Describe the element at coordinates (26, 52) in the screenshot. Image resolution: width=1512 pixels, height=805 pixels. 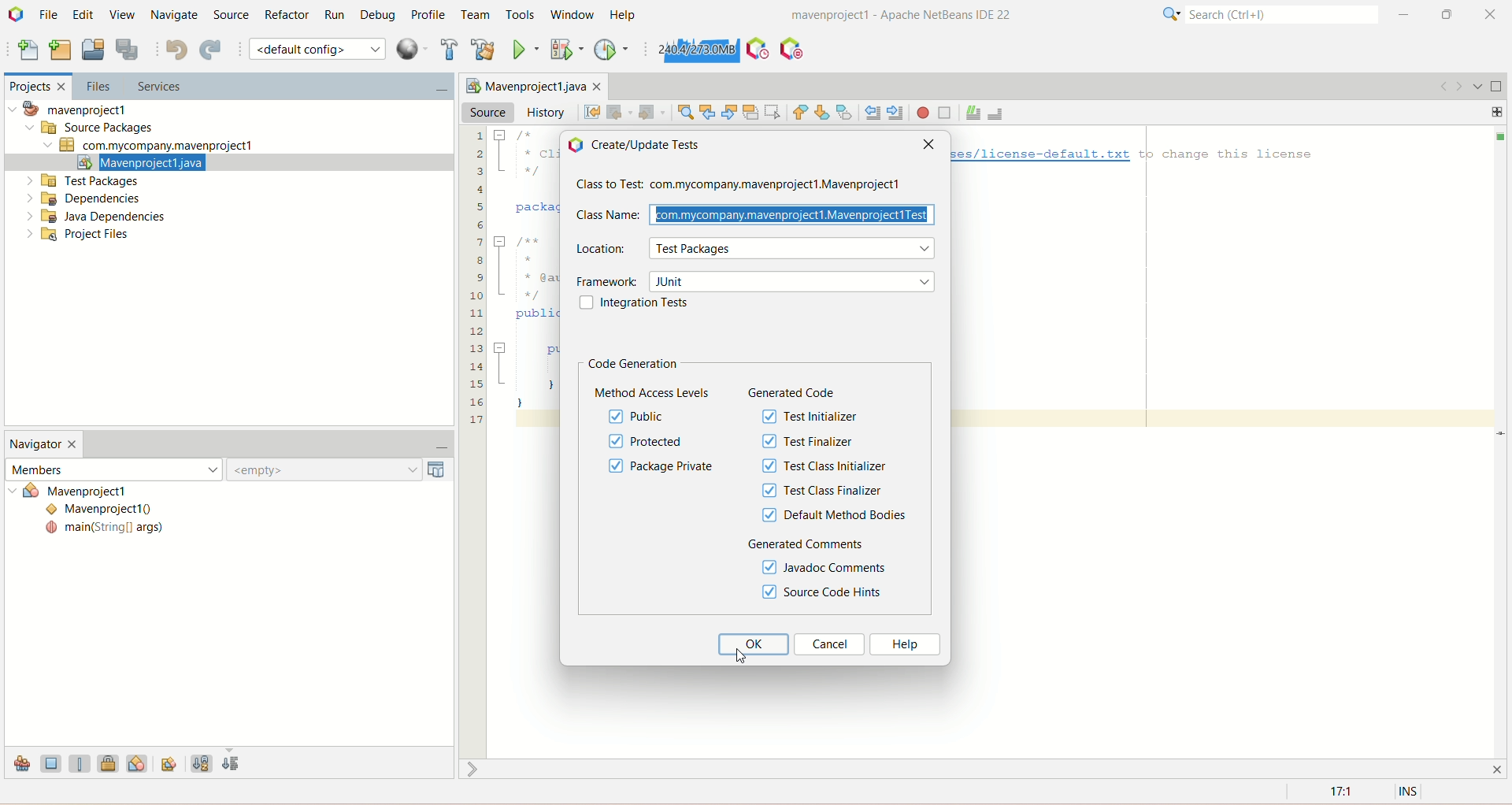
I see `new file` at that location.